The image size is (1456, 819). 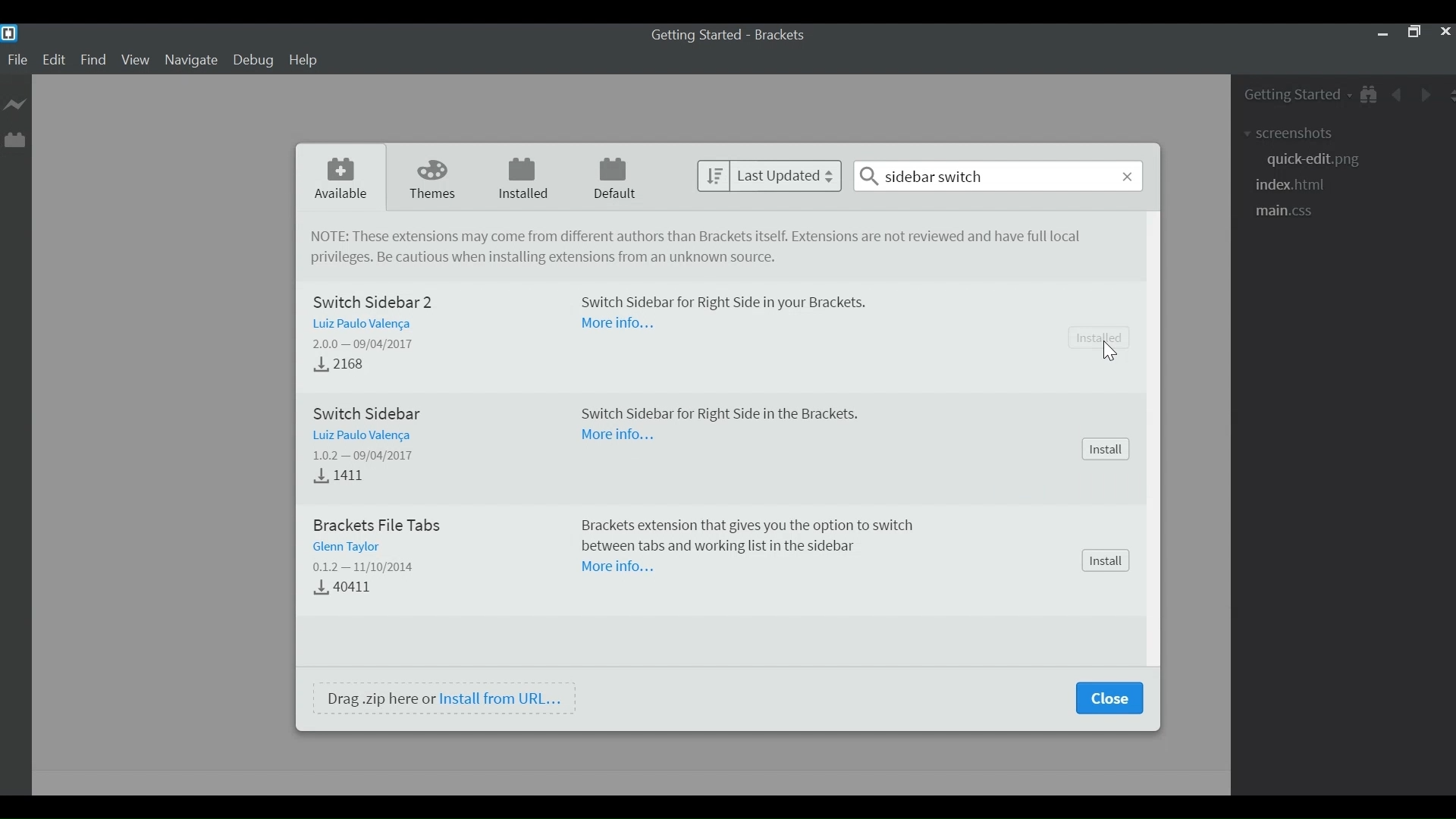 I want to click on Installed , so click(x=527, y=178).